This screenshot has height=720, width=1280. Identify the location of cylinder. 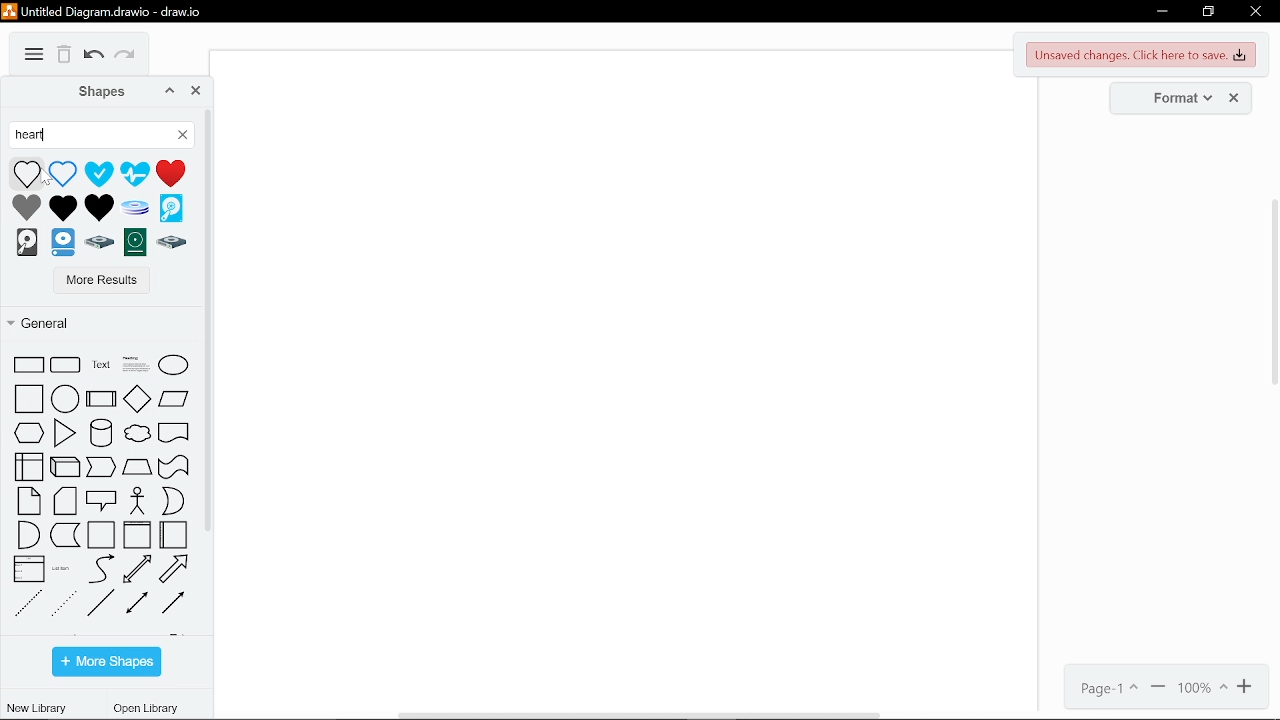
(99, 430).